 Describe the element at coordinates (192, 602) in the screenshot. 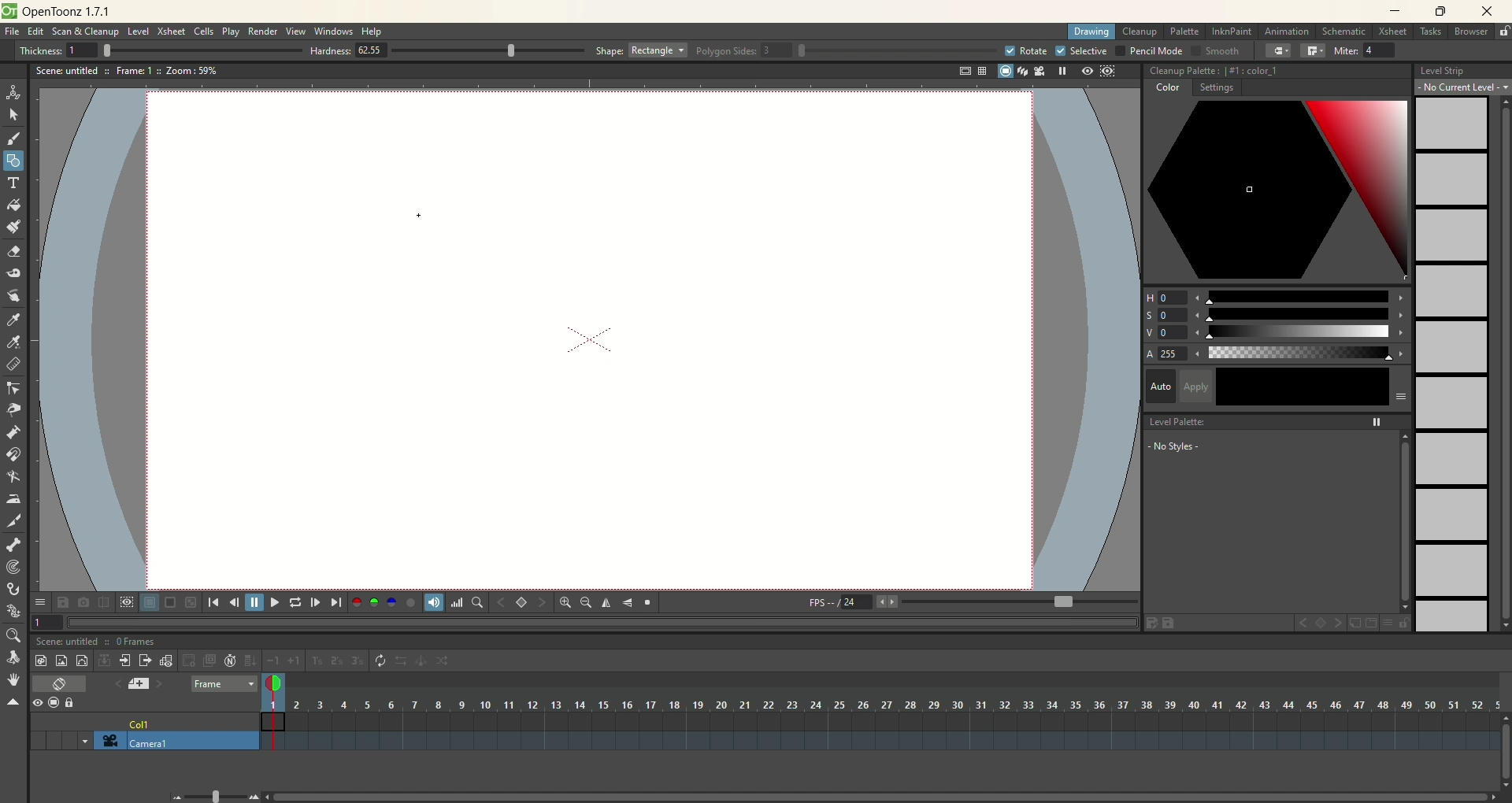

I see `checkered background` at that location.